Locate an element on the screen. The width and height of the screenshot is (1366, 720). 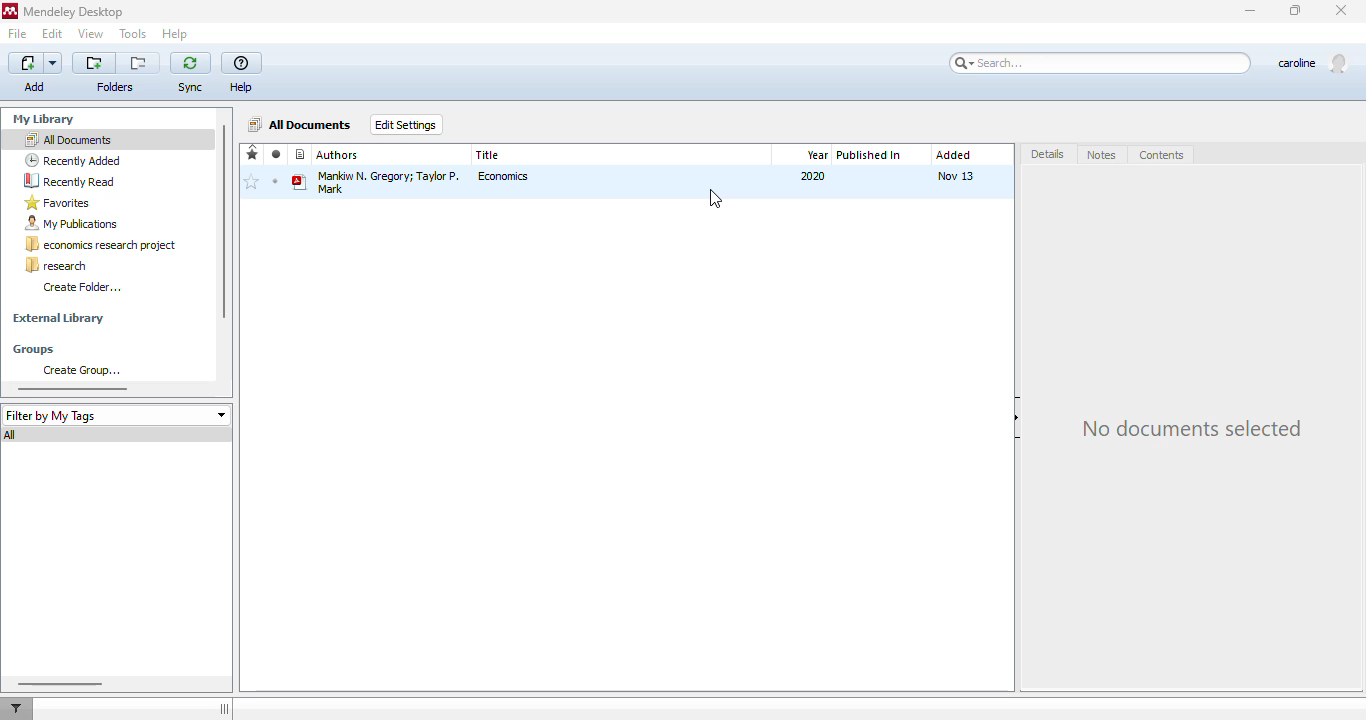
recently added is located at coordinates (73, 160).